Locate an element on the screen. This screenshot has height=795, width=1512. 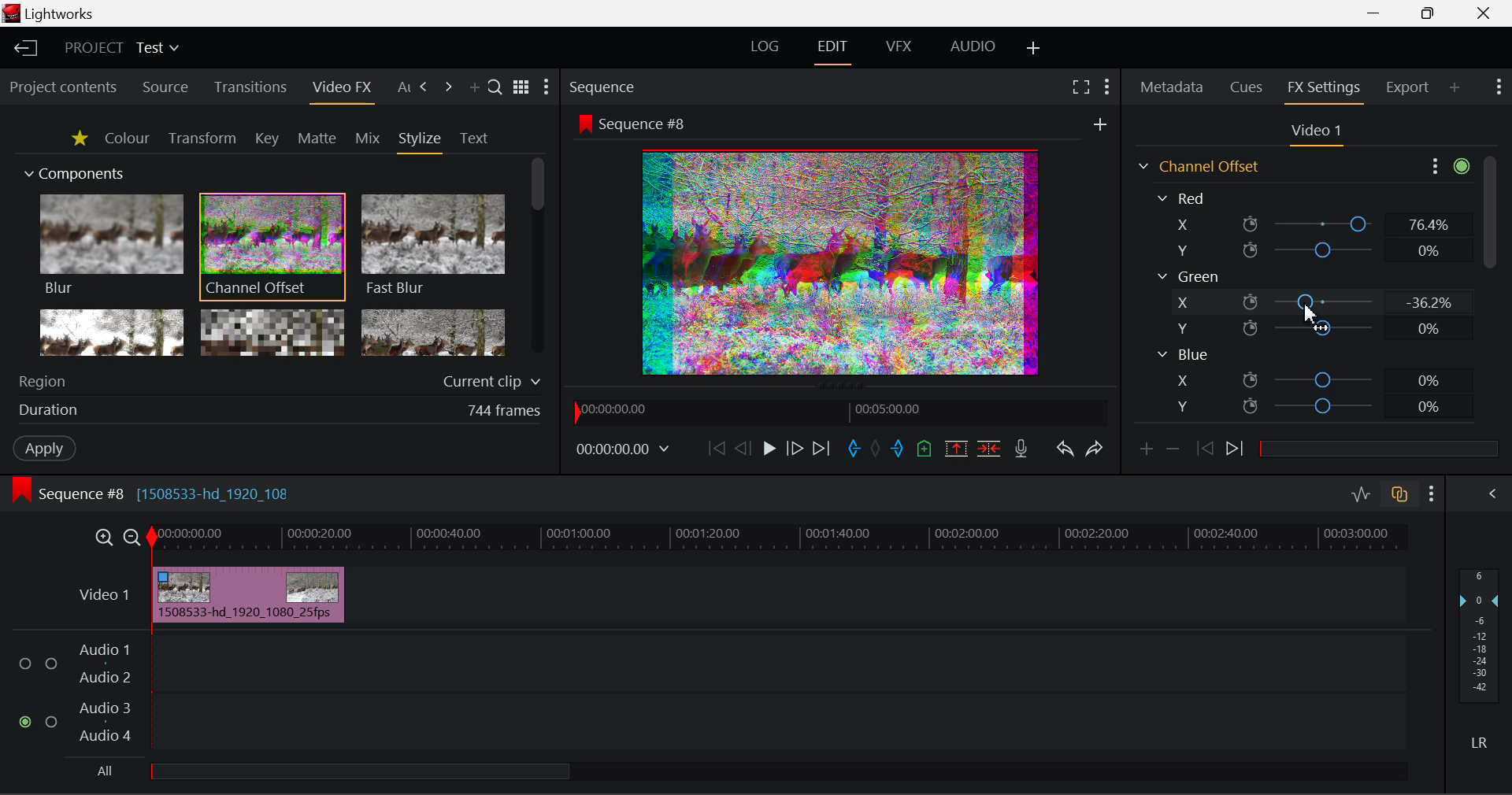
Sequence Editing Level is located at coordinates (63, 496).